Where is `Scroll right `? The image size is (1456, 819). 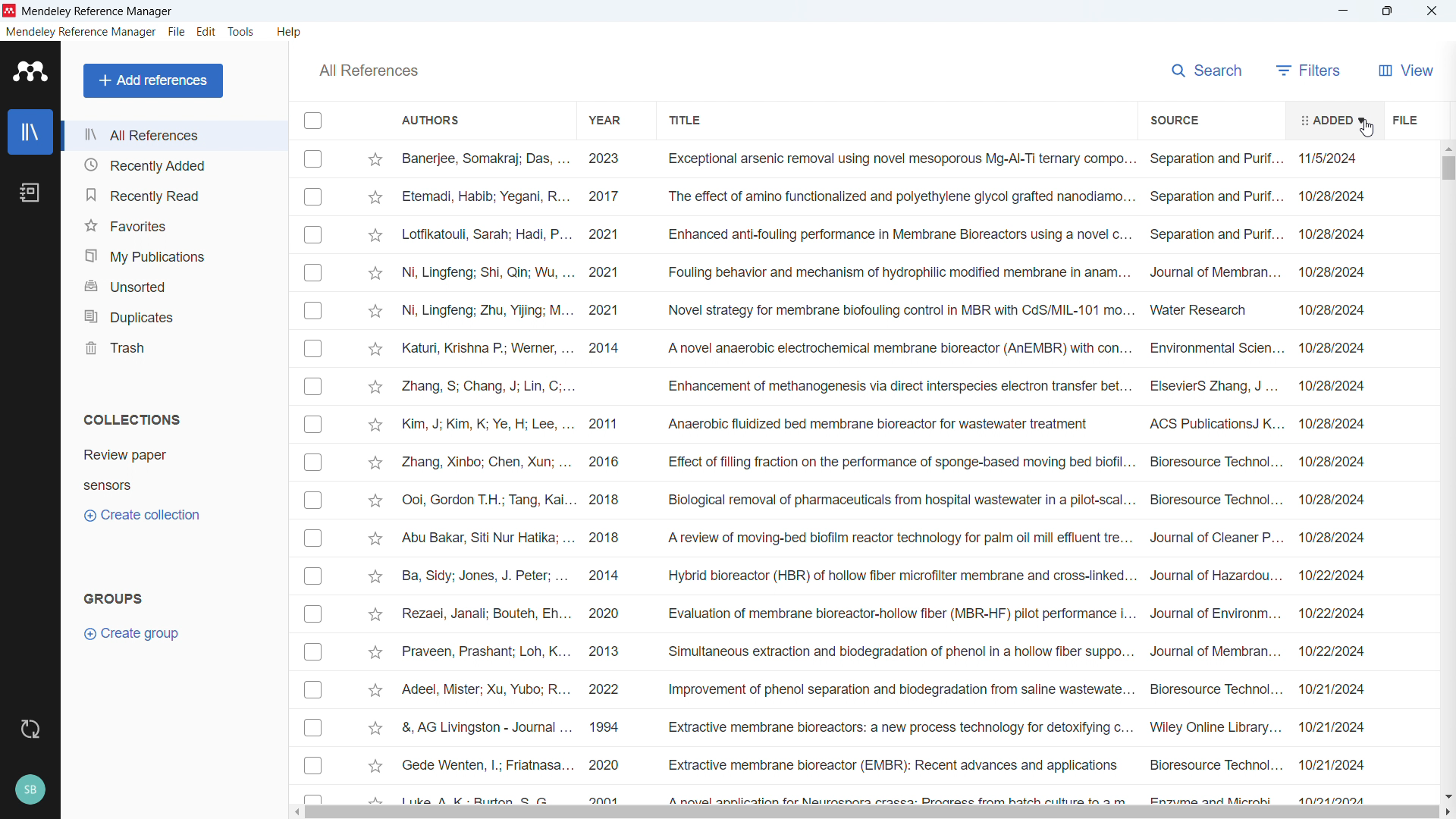
Scroll right  is located at coordinates (1447, 812).